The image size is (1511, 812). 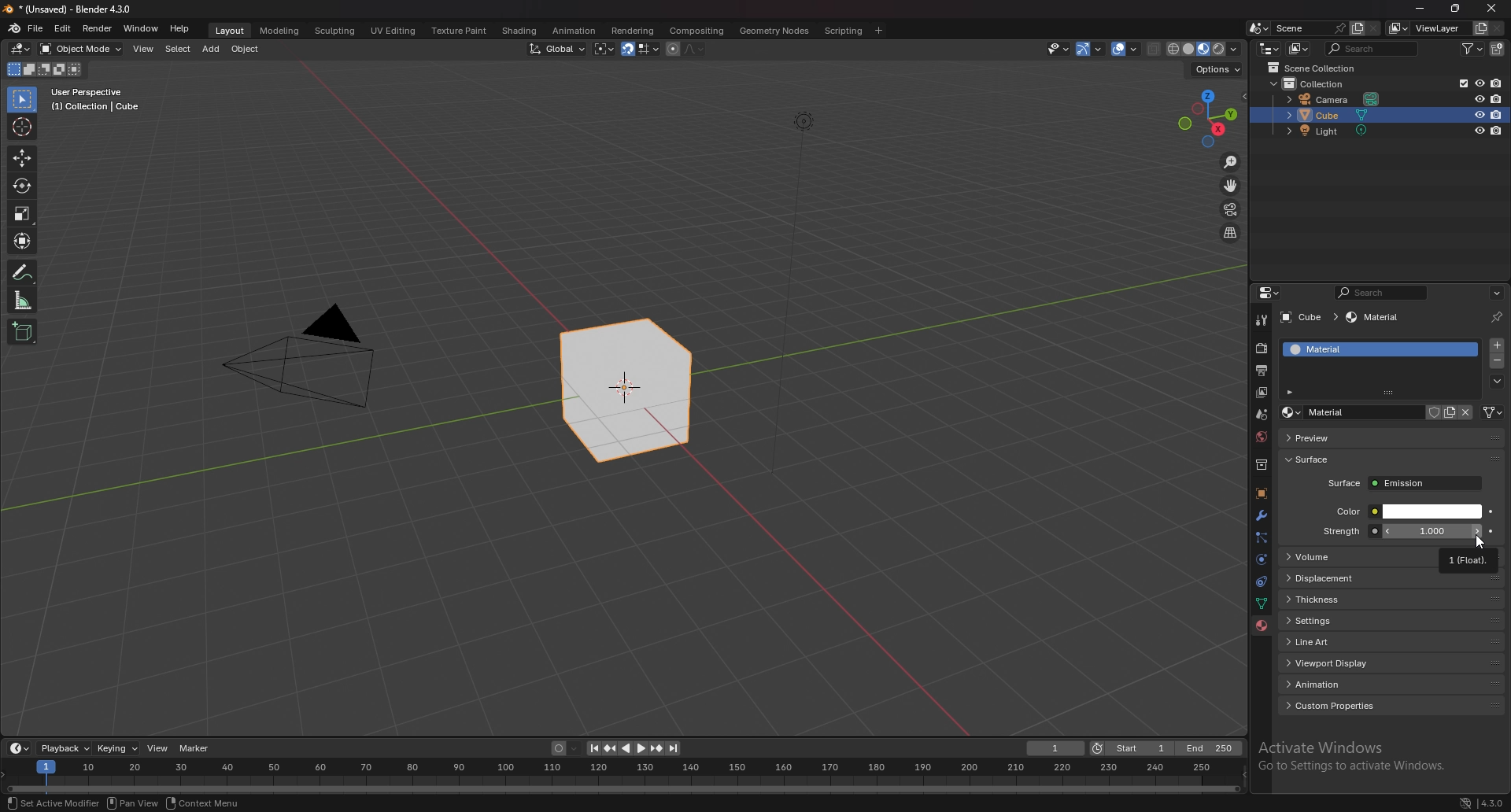 What do you see at coordinates (1326, 460) in the screenshot?
I see `surface` at bounding box center [1326, 460].